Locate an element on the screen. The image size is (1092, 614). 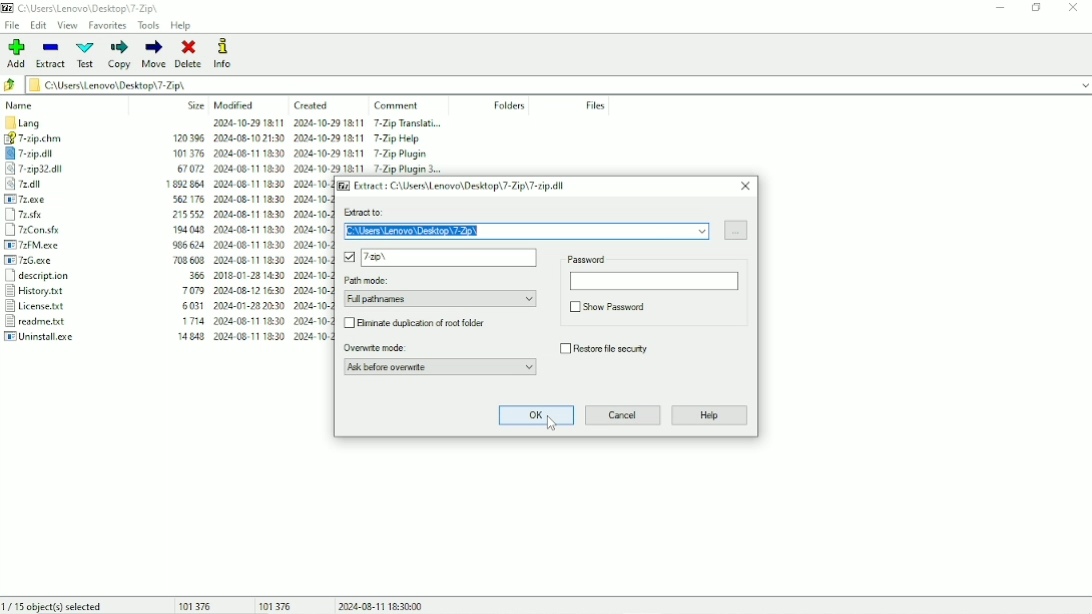
Extract is located at coordinates (453, 186).